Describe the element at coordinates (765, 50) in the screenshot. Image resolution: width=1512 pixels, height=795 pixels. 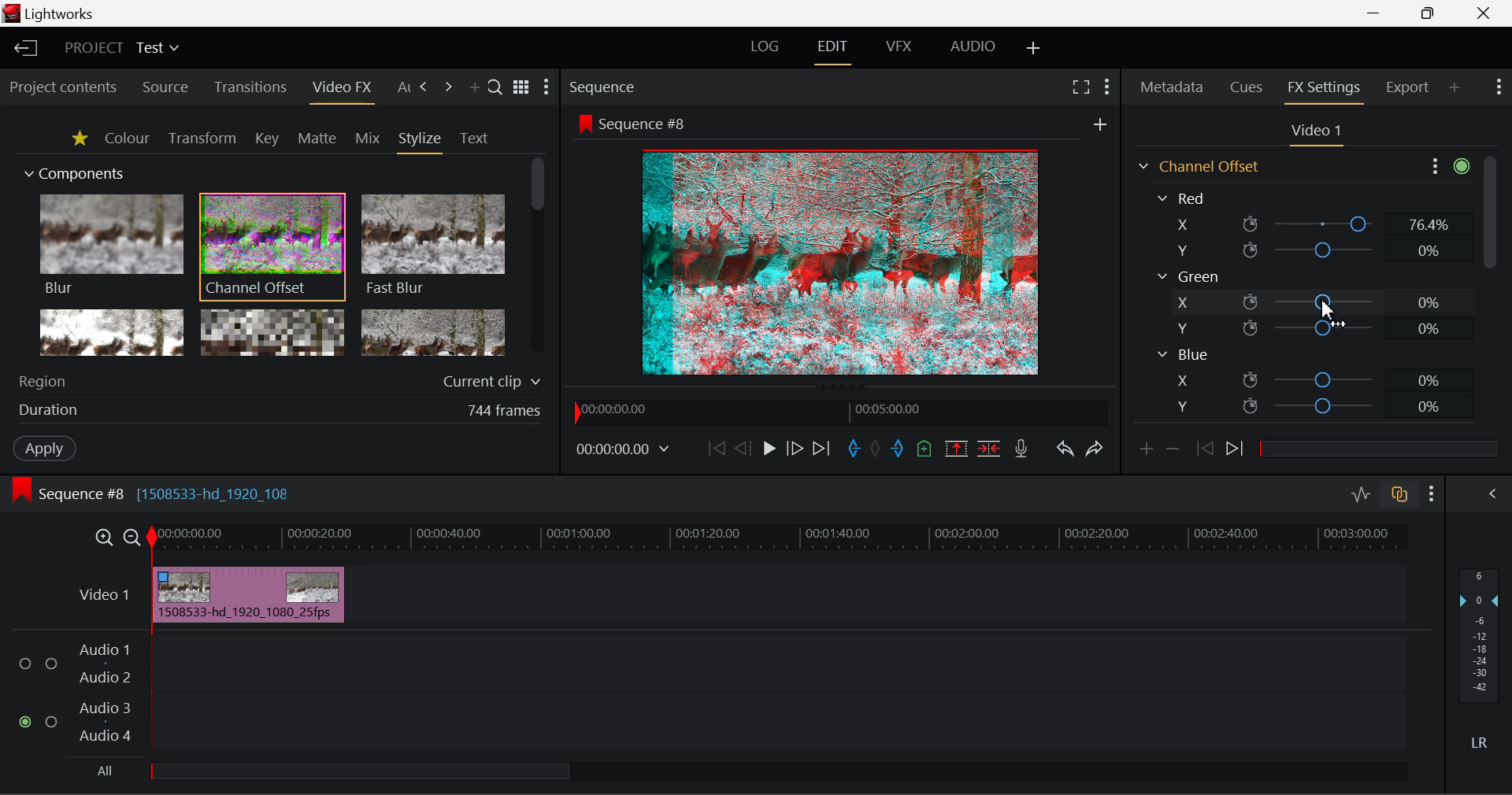
I see `LOG Layout` at that location.